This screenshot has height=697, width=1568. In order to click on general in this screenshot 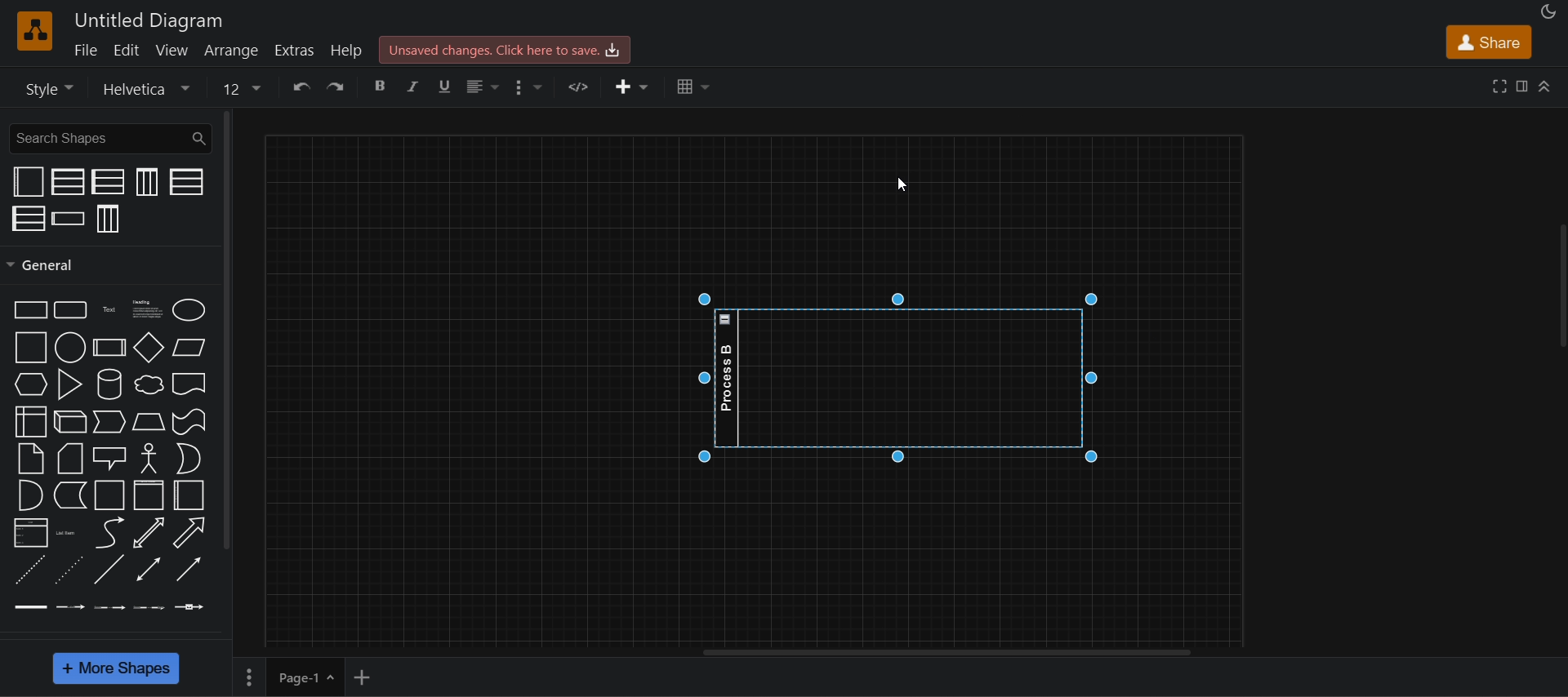, I will do `click(228, 328)`.